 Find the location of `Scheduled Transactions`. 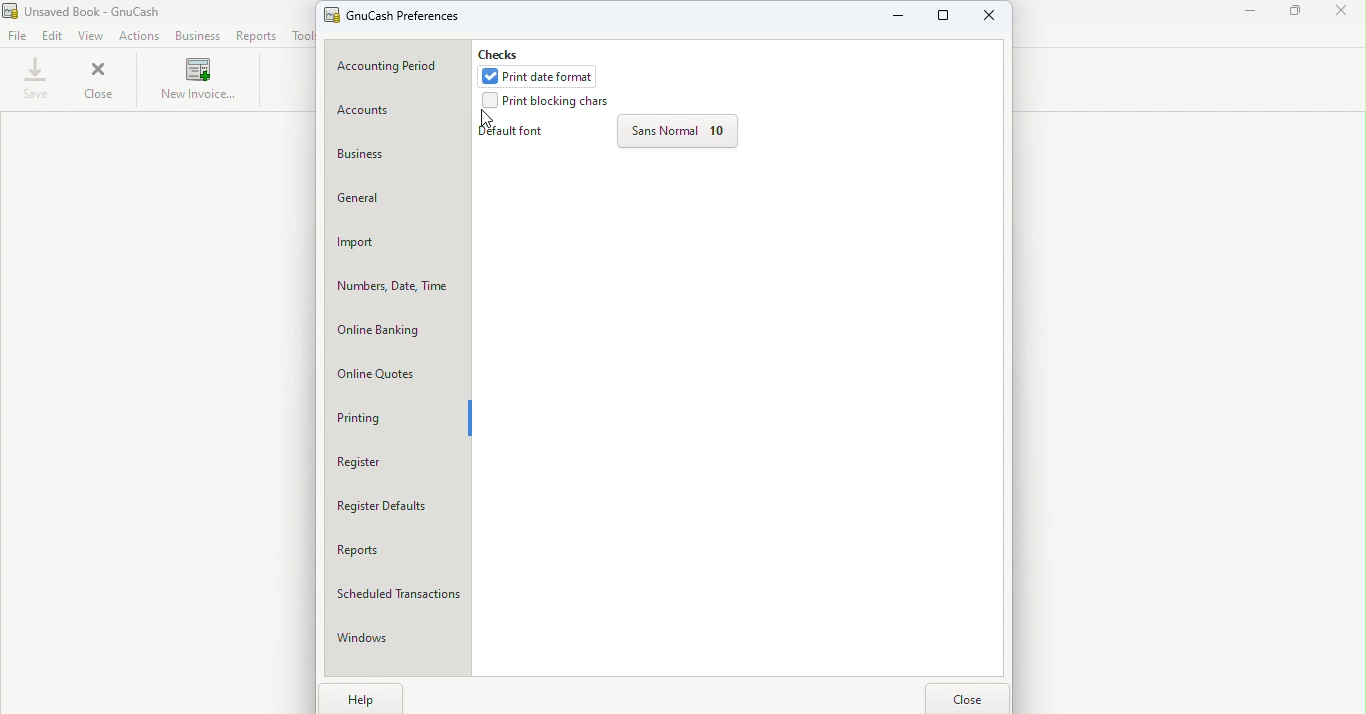

Scheduled Transactions is located at coordinates (398, 596).